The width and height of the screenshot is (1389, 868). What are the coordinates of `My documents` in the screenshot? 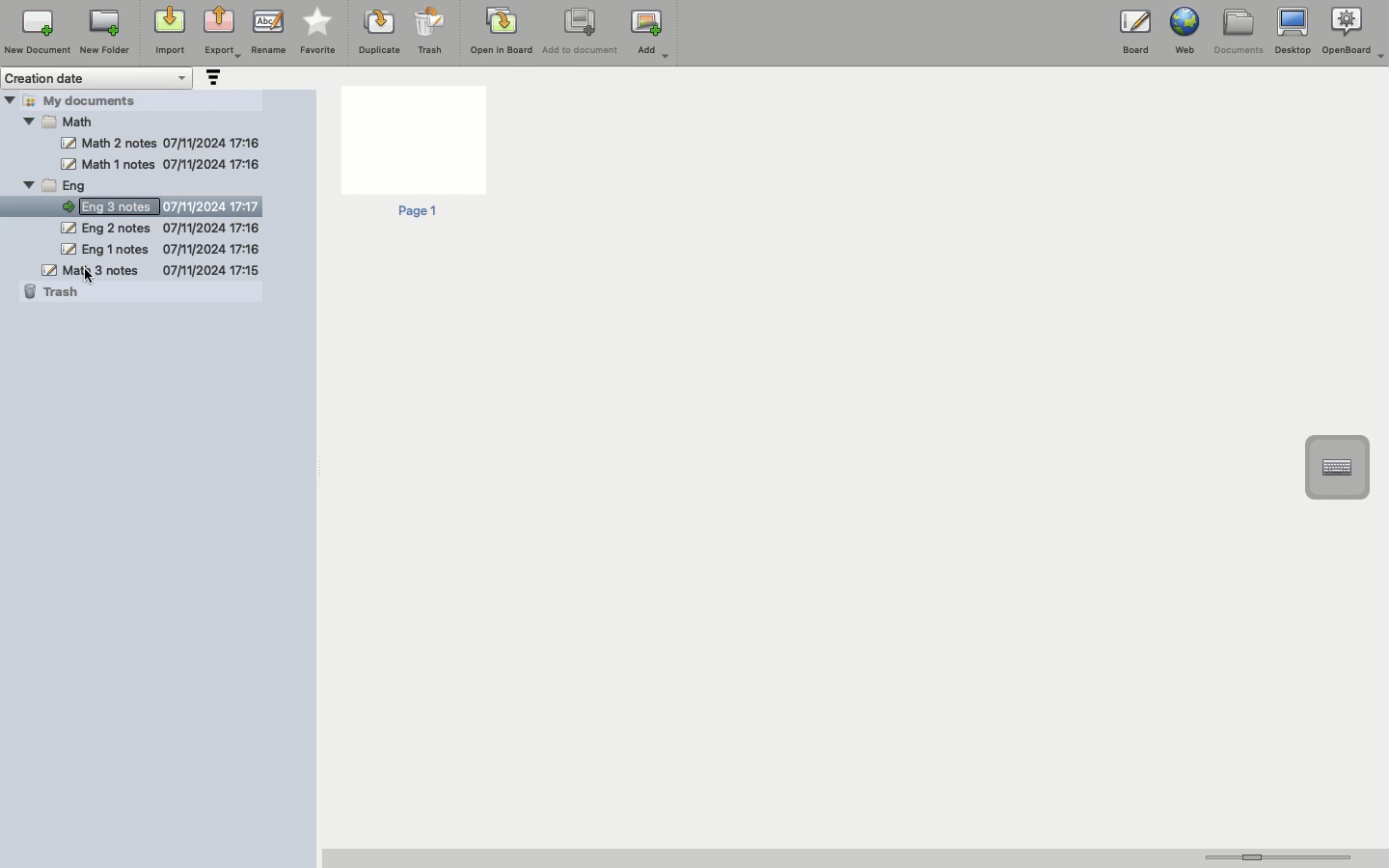 It's located at (93, 99).